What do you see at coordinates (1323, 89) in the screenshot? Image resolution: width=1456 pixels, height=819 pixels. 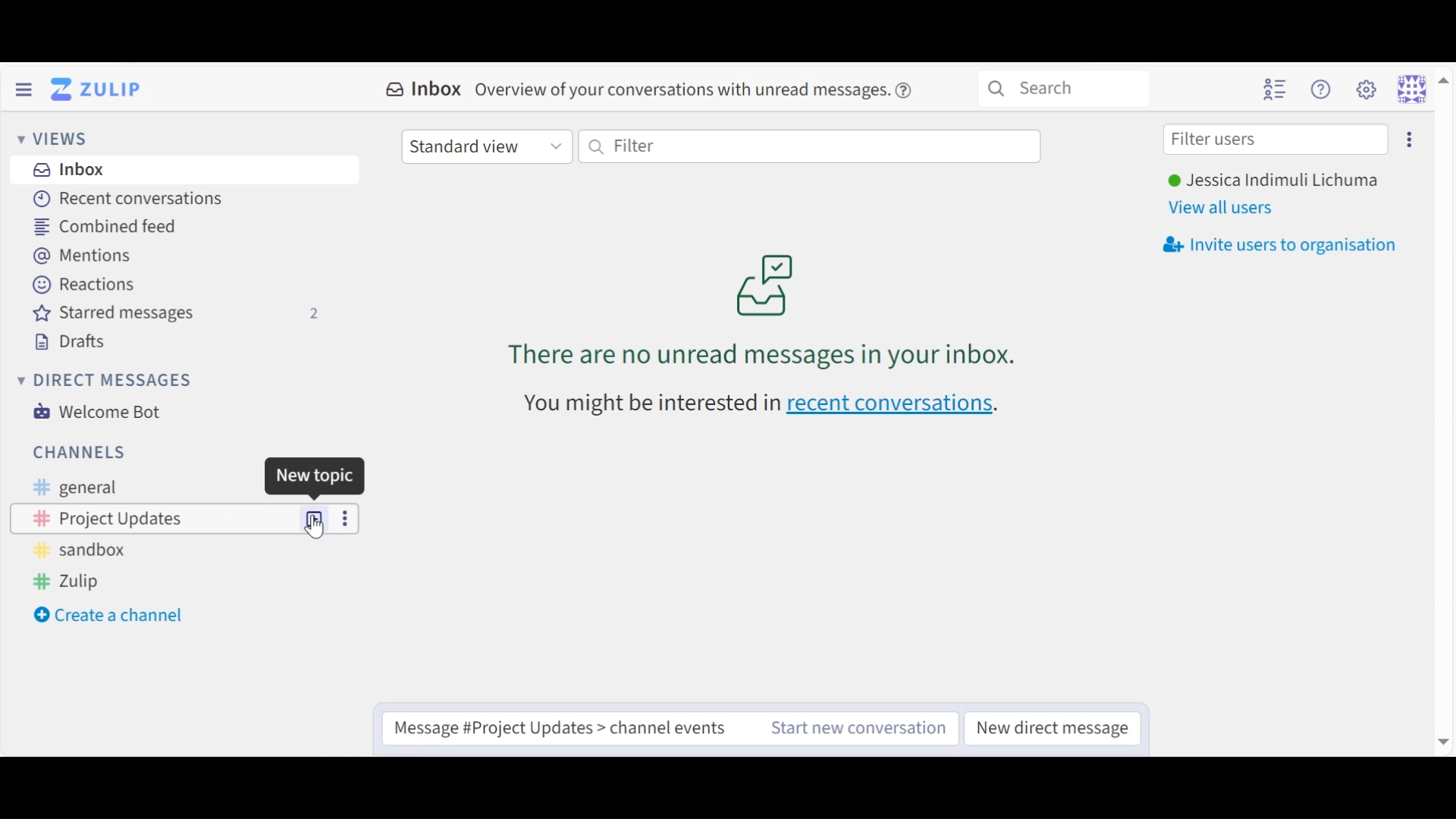 I see `Help menu` at bounding box center [1323, 89].